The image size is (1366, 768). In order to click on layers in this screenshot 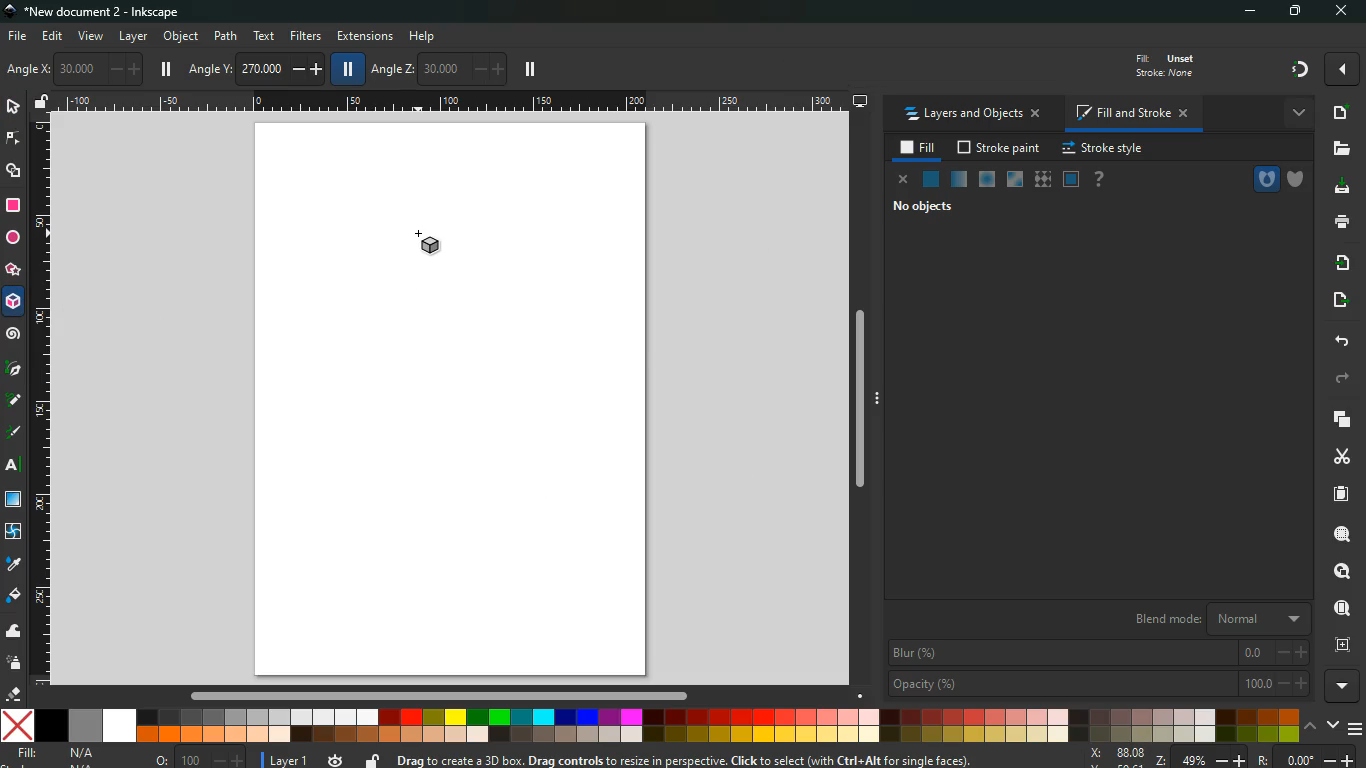, I will do `click(1336, 418)`.